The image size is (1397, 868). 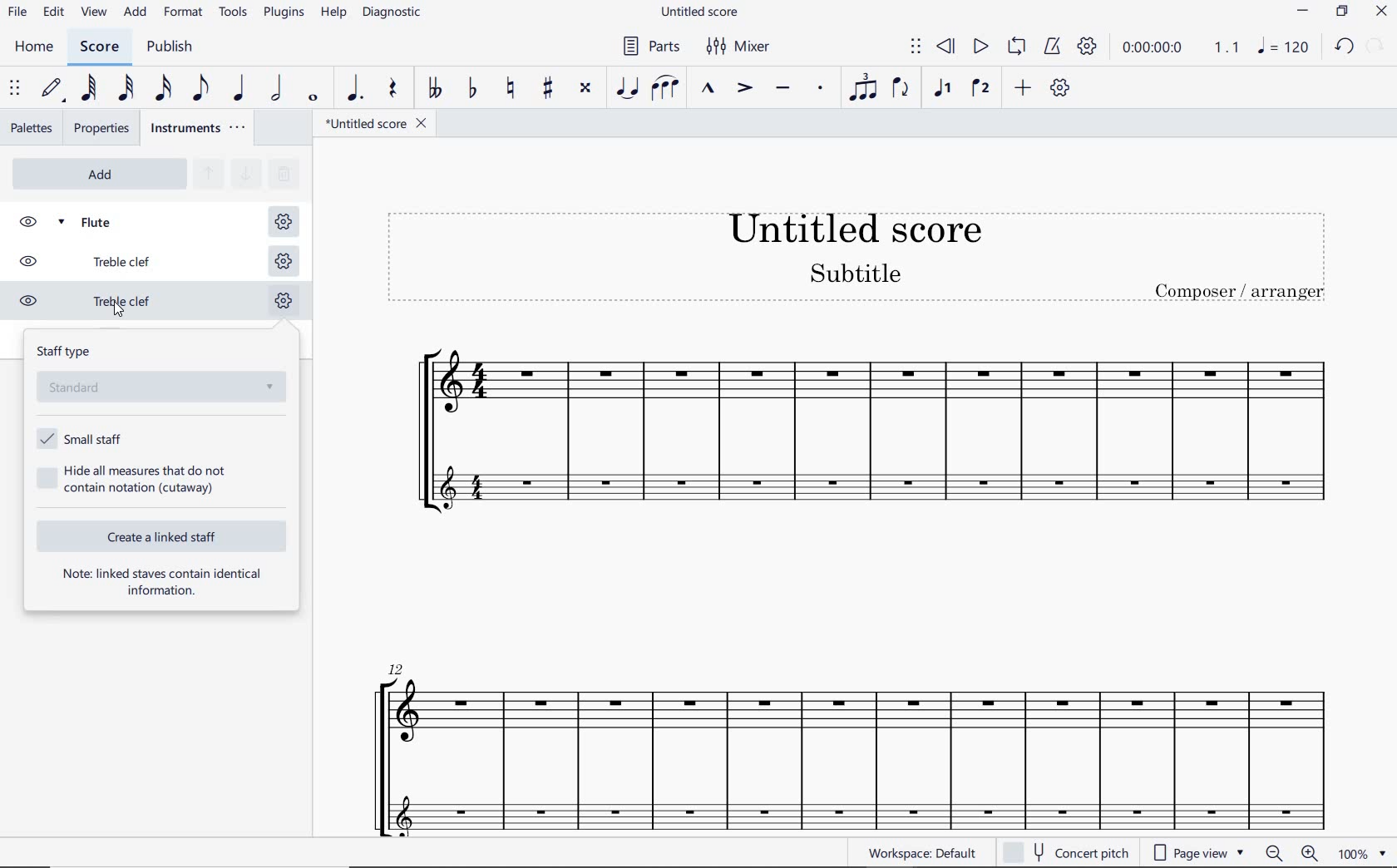 What do you see at coordinates (102, 261) in the screenshot?
I see `TREBLE CLEF` at bounding box center [102, 261].